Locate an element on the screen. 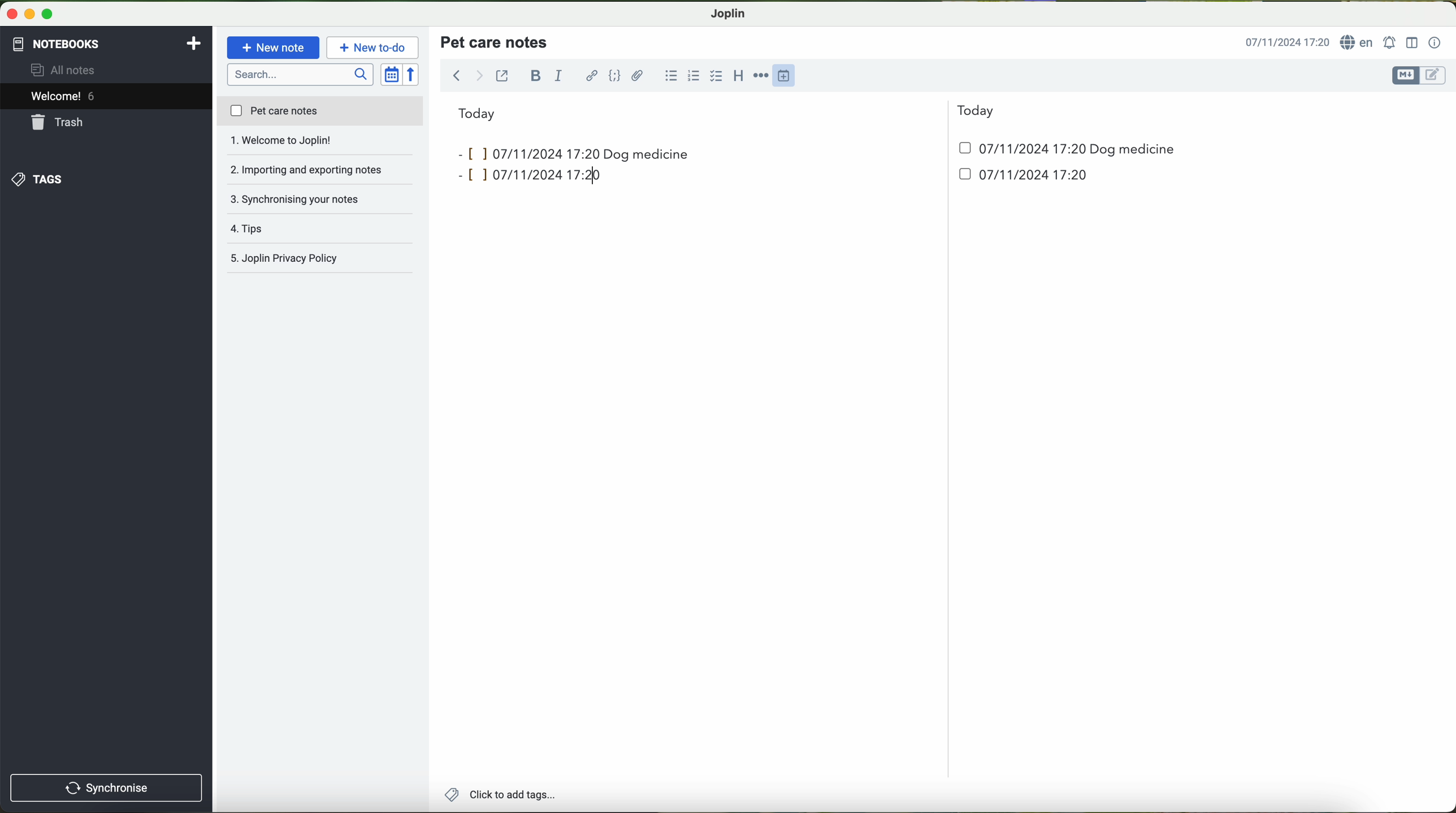 Image resolution: width=1456 pixels, height=813 pixels. importing and exporting notes is located at coordinates (320, 144).